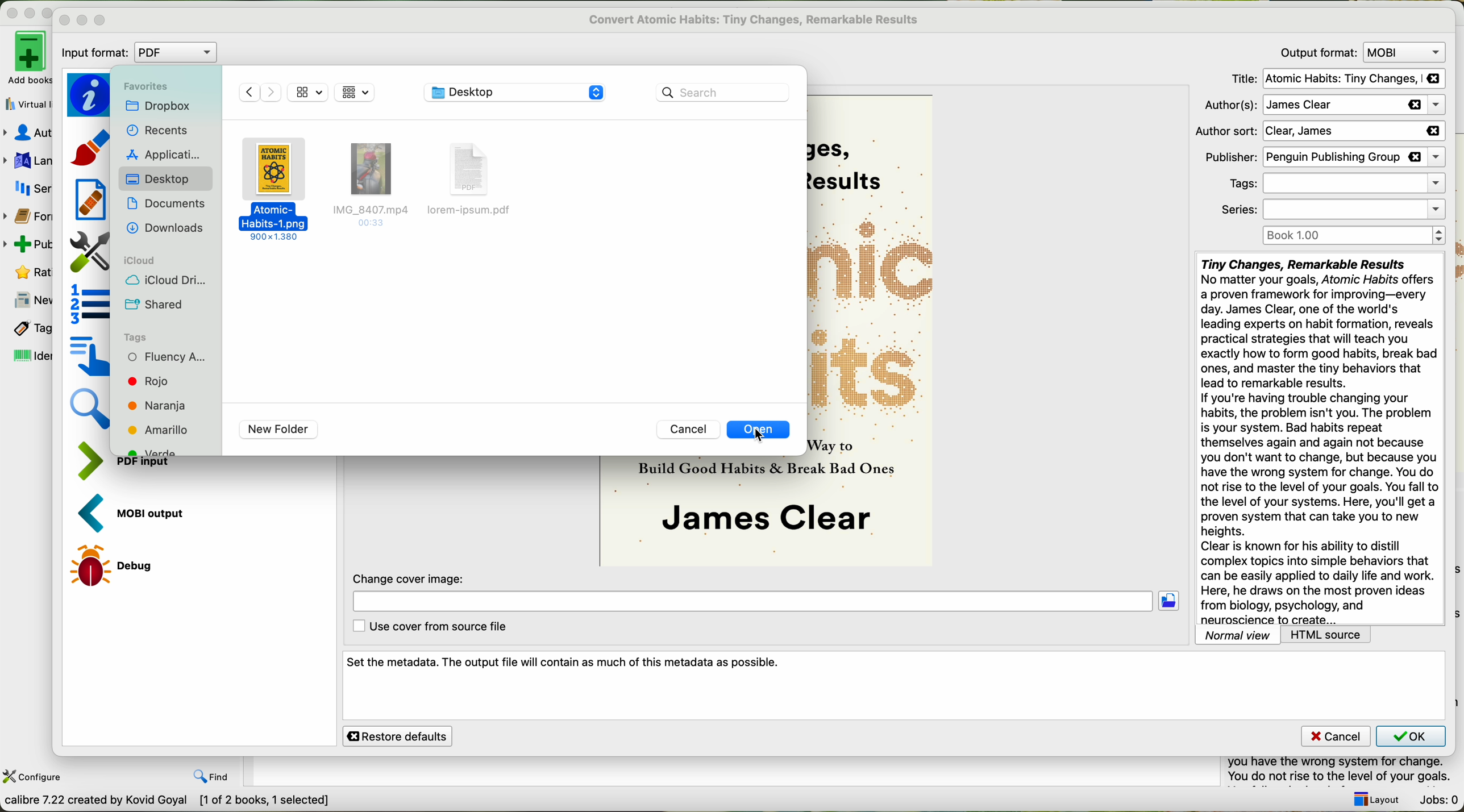 This screenshot has width=1464, height=812. Describe the element at coordinates (158, 184) in the screenshot. I see `click on desktop` at that location.